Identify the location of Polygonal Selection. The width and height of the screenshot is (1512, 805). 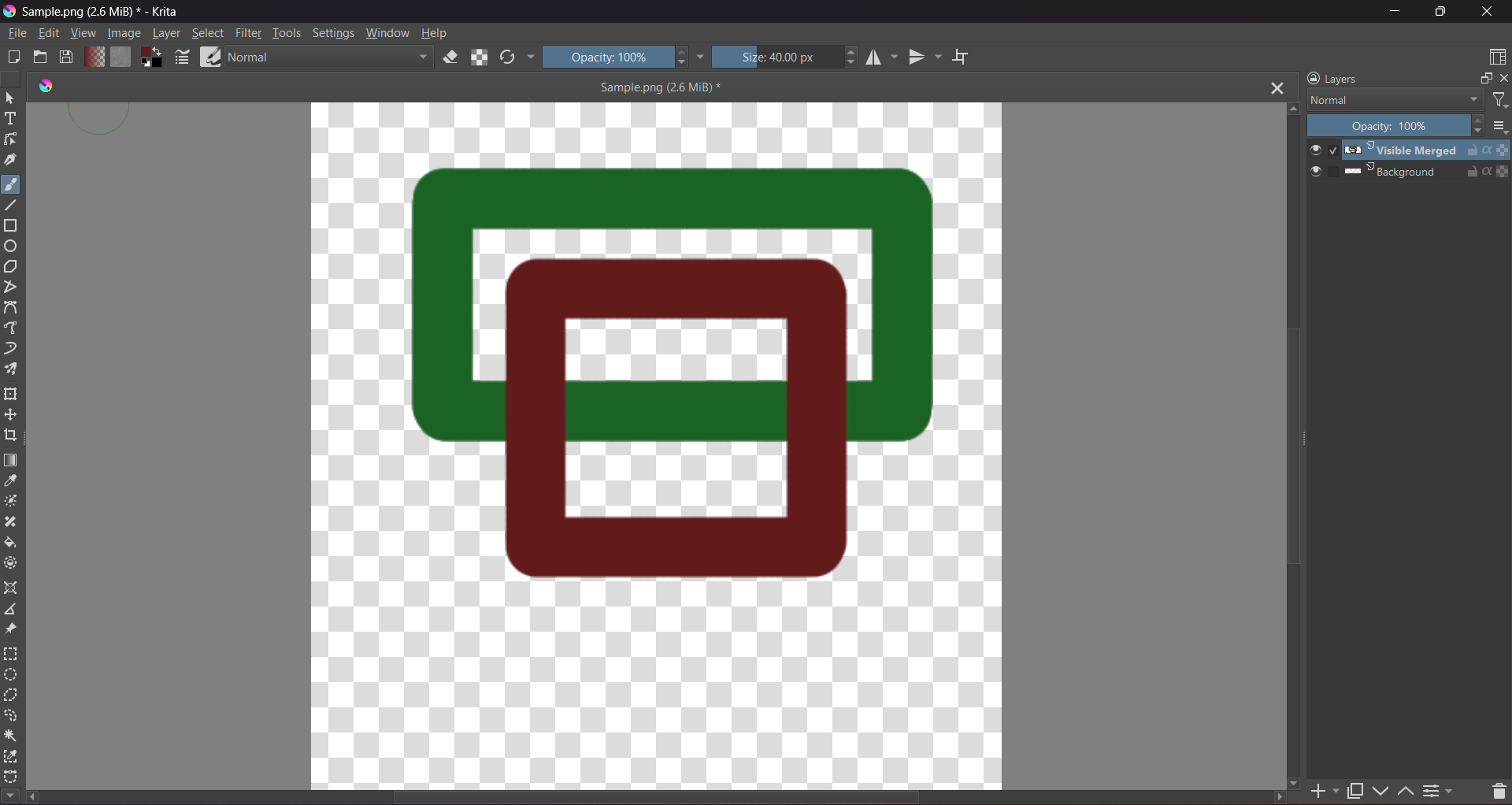
(11, 697).